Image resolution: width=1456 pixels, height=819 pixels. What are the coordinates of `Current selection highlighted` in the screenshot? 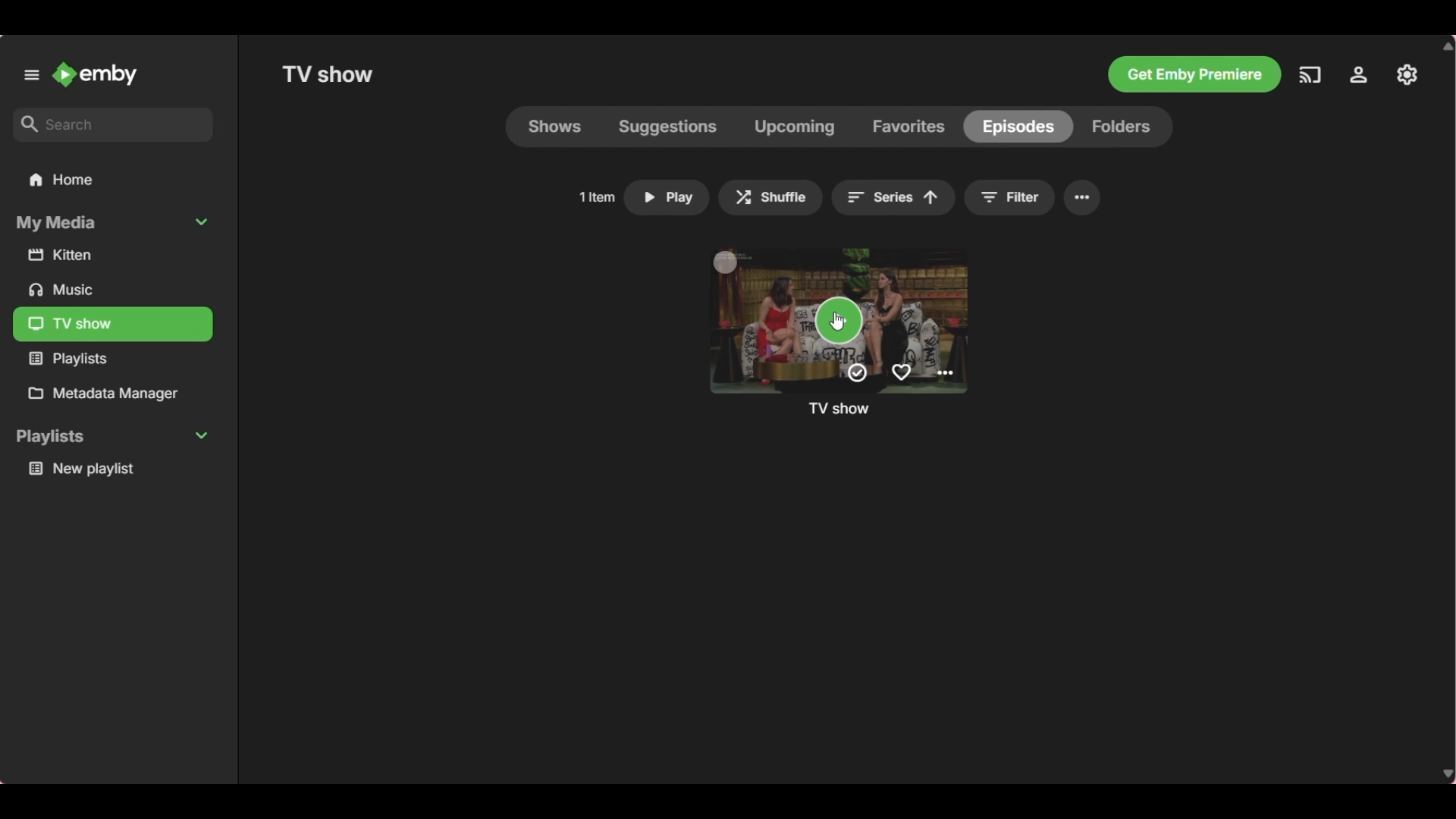 It's located at (555, 127).